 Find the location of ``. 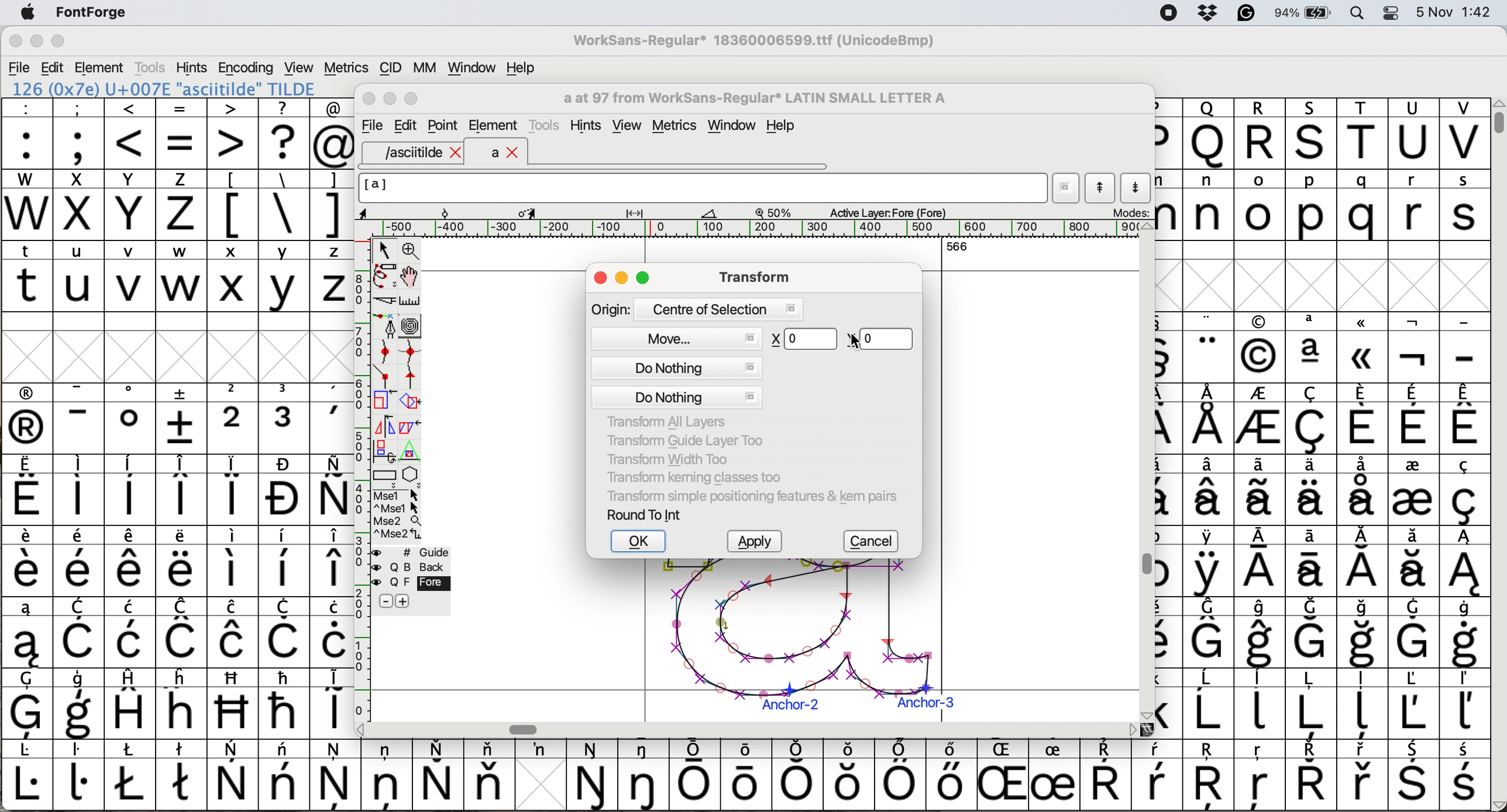

 is located at coordinates (1313, 133).